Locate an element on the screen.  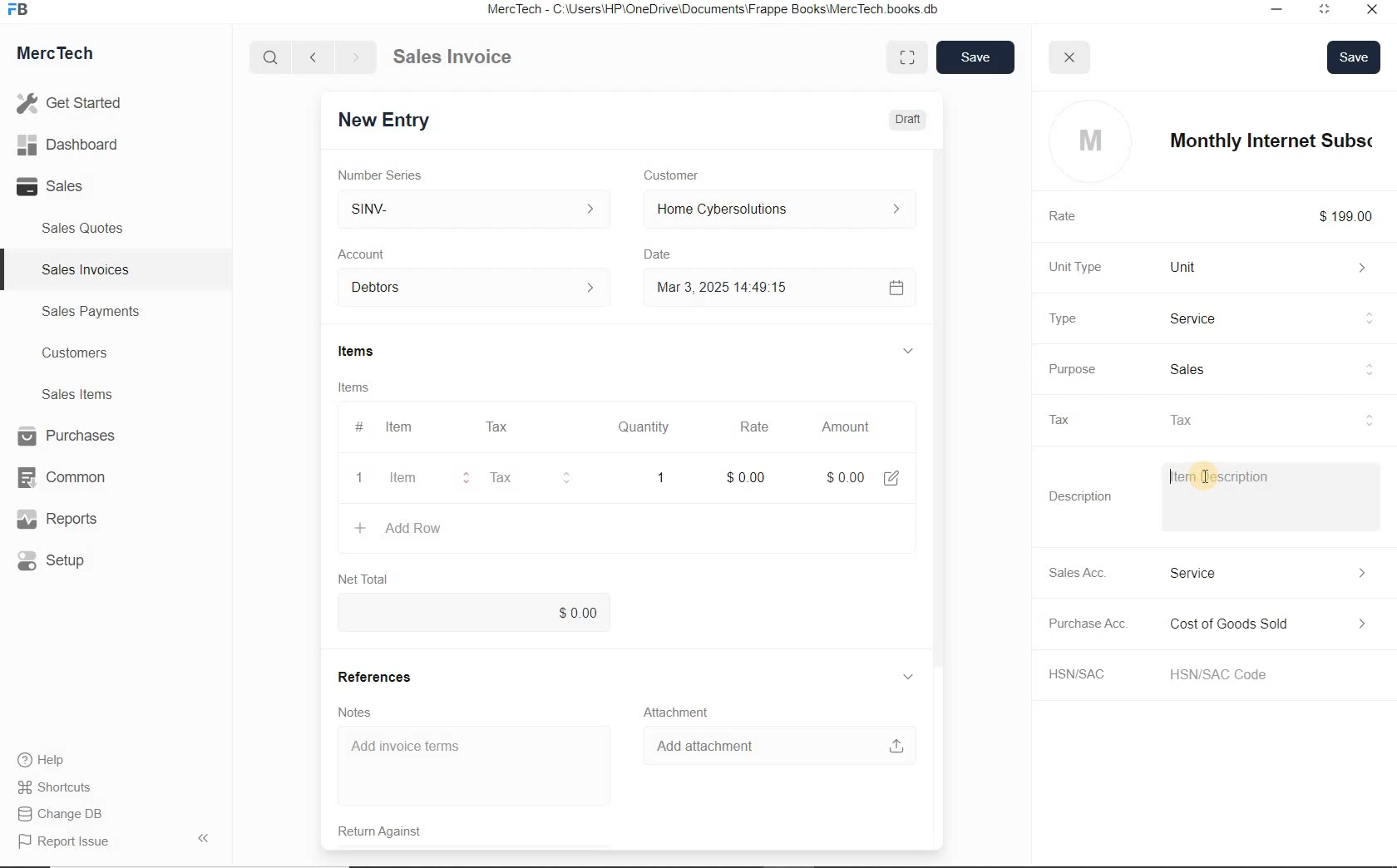
item line number is located at coordinates (354, 455).